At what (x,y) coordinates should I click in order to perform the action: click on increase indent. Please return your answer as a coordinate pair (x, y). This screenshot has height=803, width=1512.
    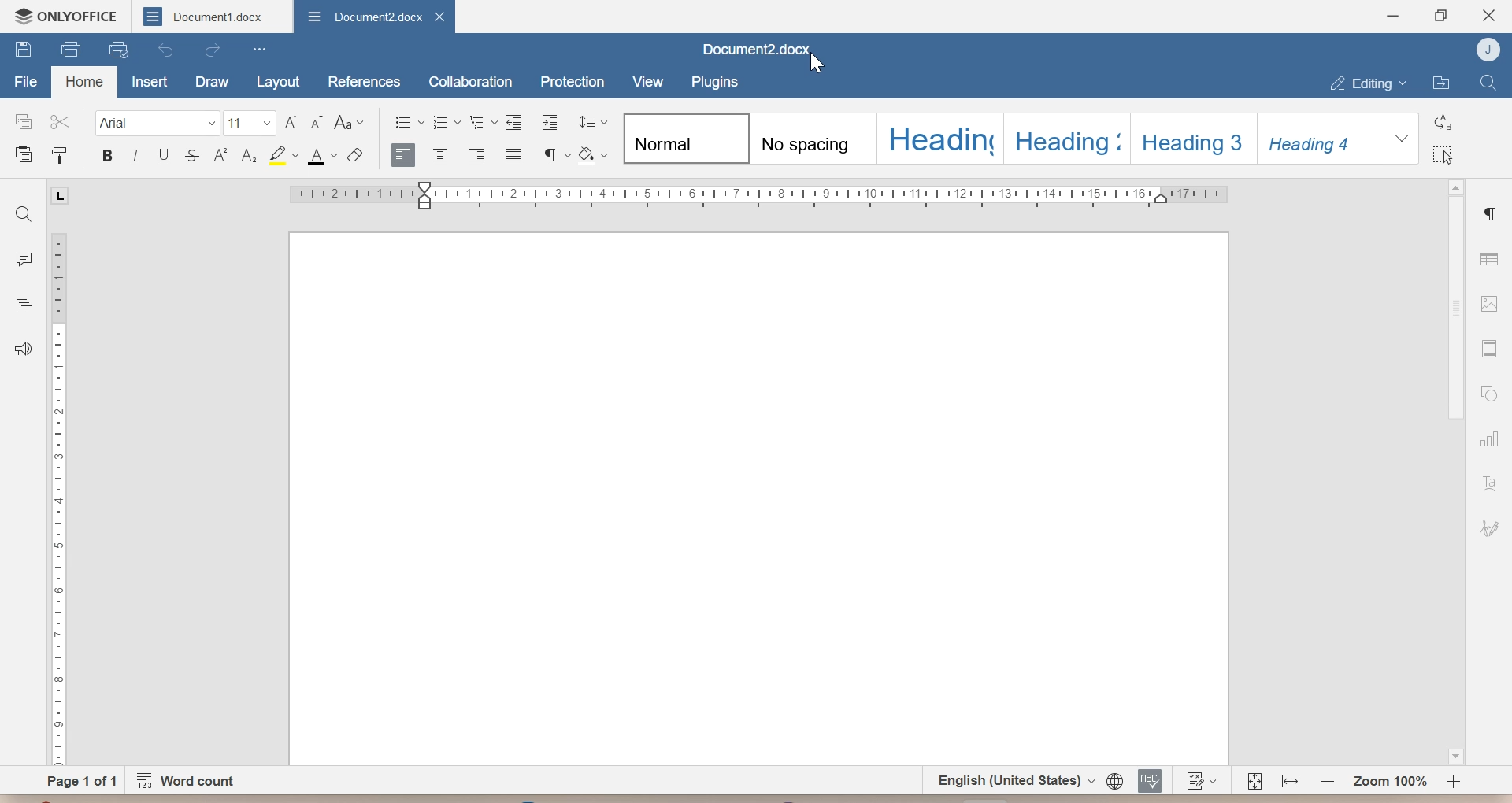
    Looking at the image, I should click on (547, 123).